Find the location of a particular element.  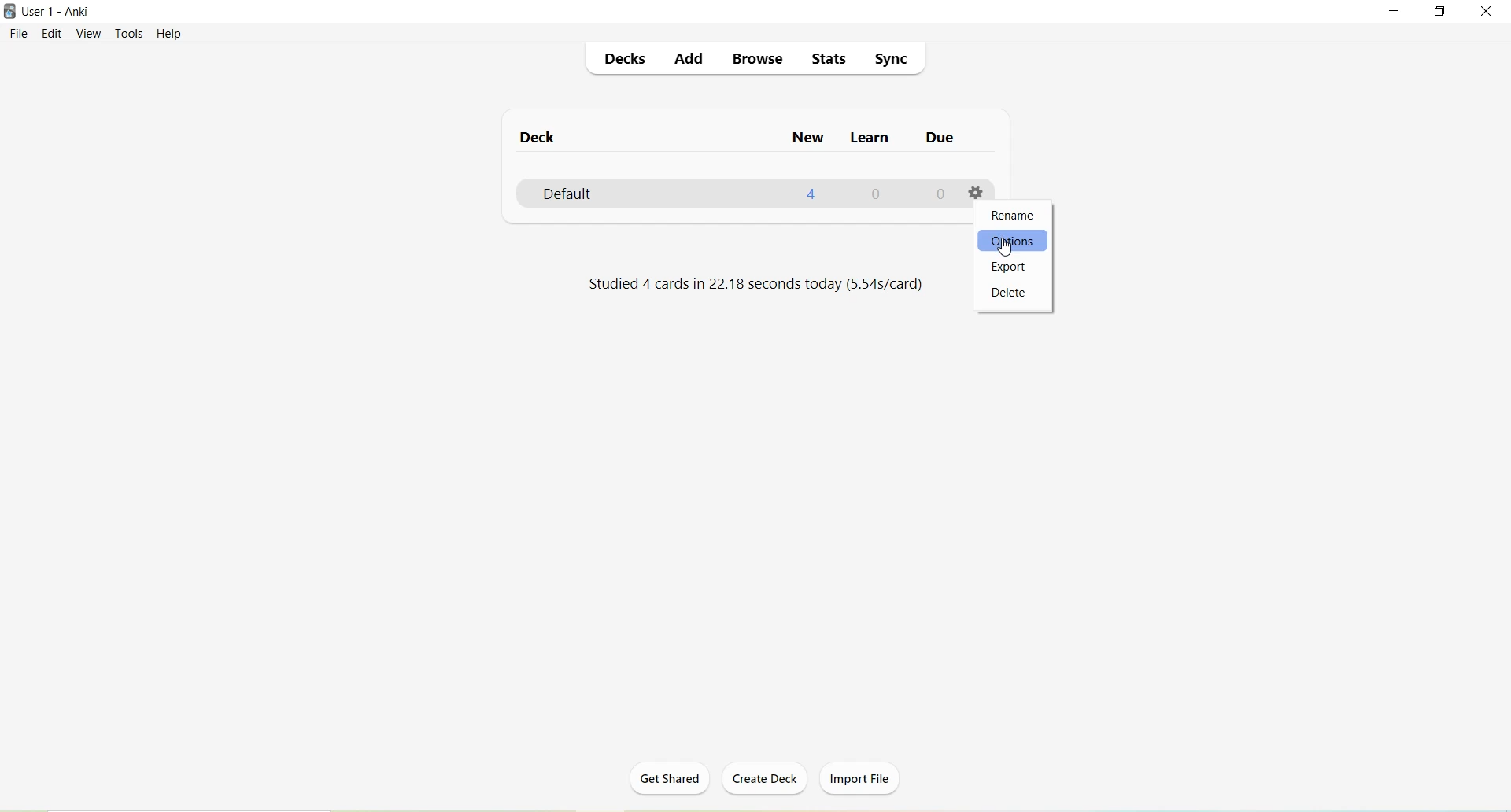

New is located at coordinates (809, 139).